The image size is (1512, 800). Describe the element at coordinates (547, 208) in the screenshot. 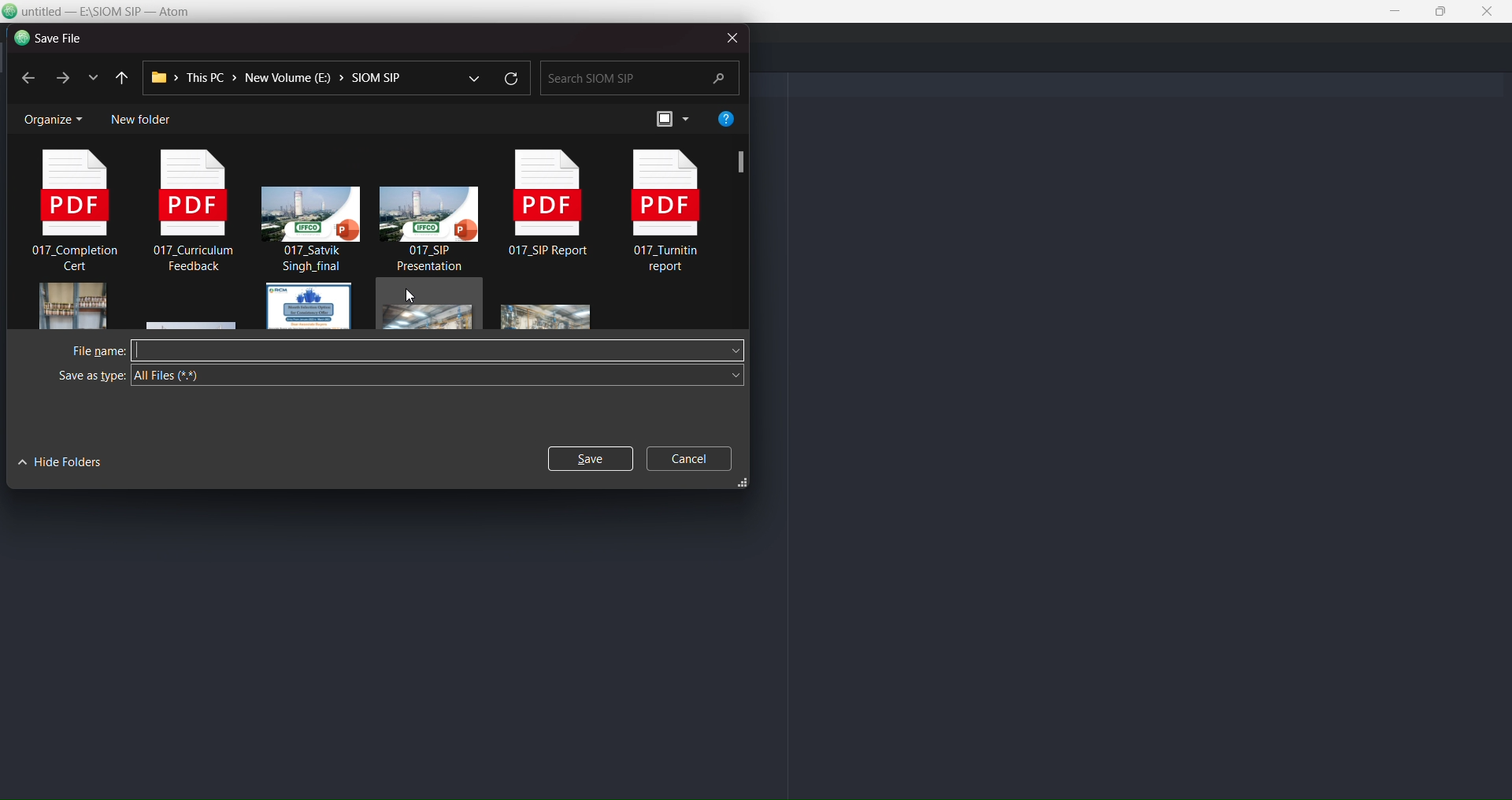

I see `pdf file` at that location.